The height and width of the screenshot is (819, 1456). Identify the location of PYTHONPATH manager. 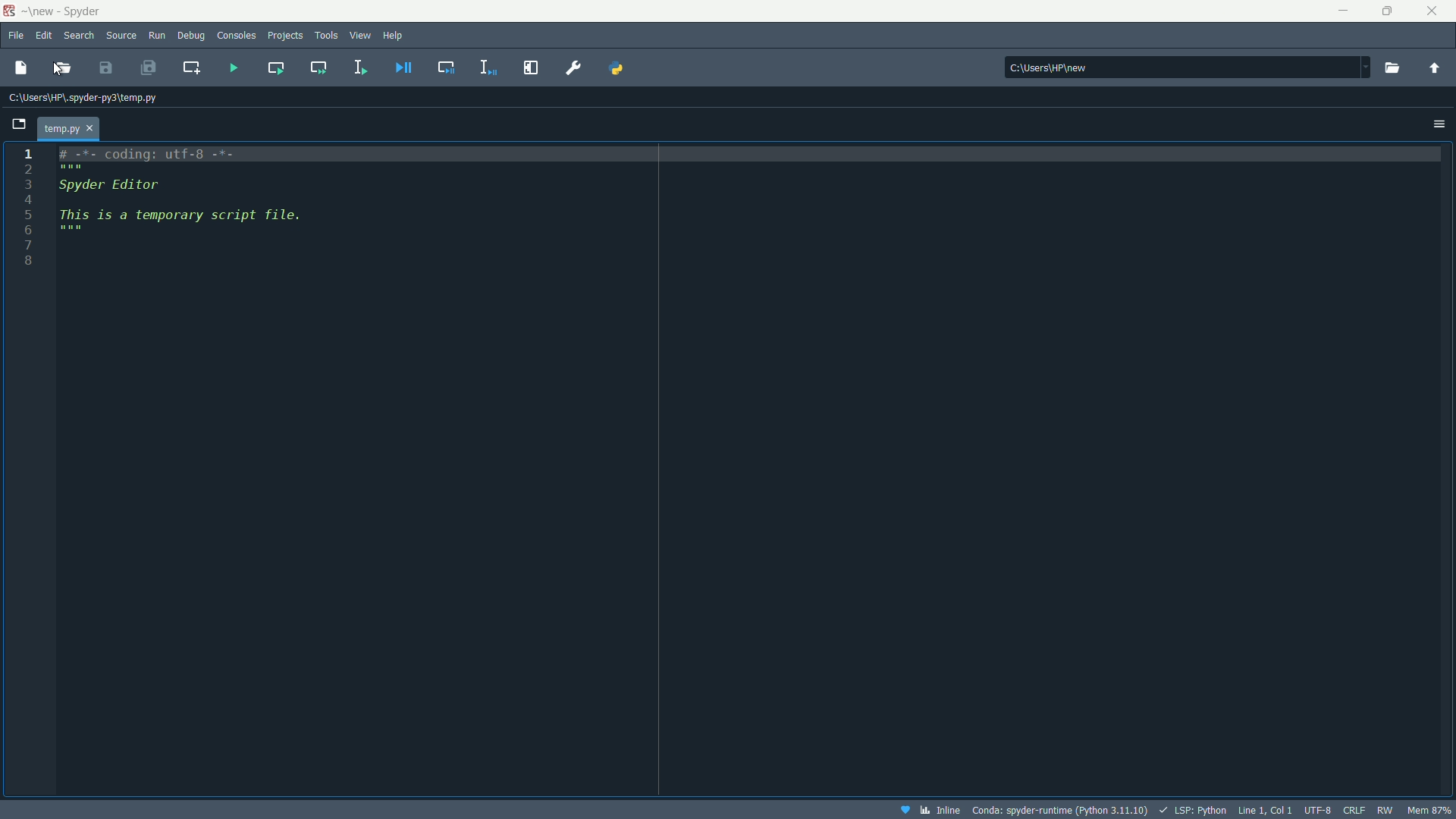
(617, 69).